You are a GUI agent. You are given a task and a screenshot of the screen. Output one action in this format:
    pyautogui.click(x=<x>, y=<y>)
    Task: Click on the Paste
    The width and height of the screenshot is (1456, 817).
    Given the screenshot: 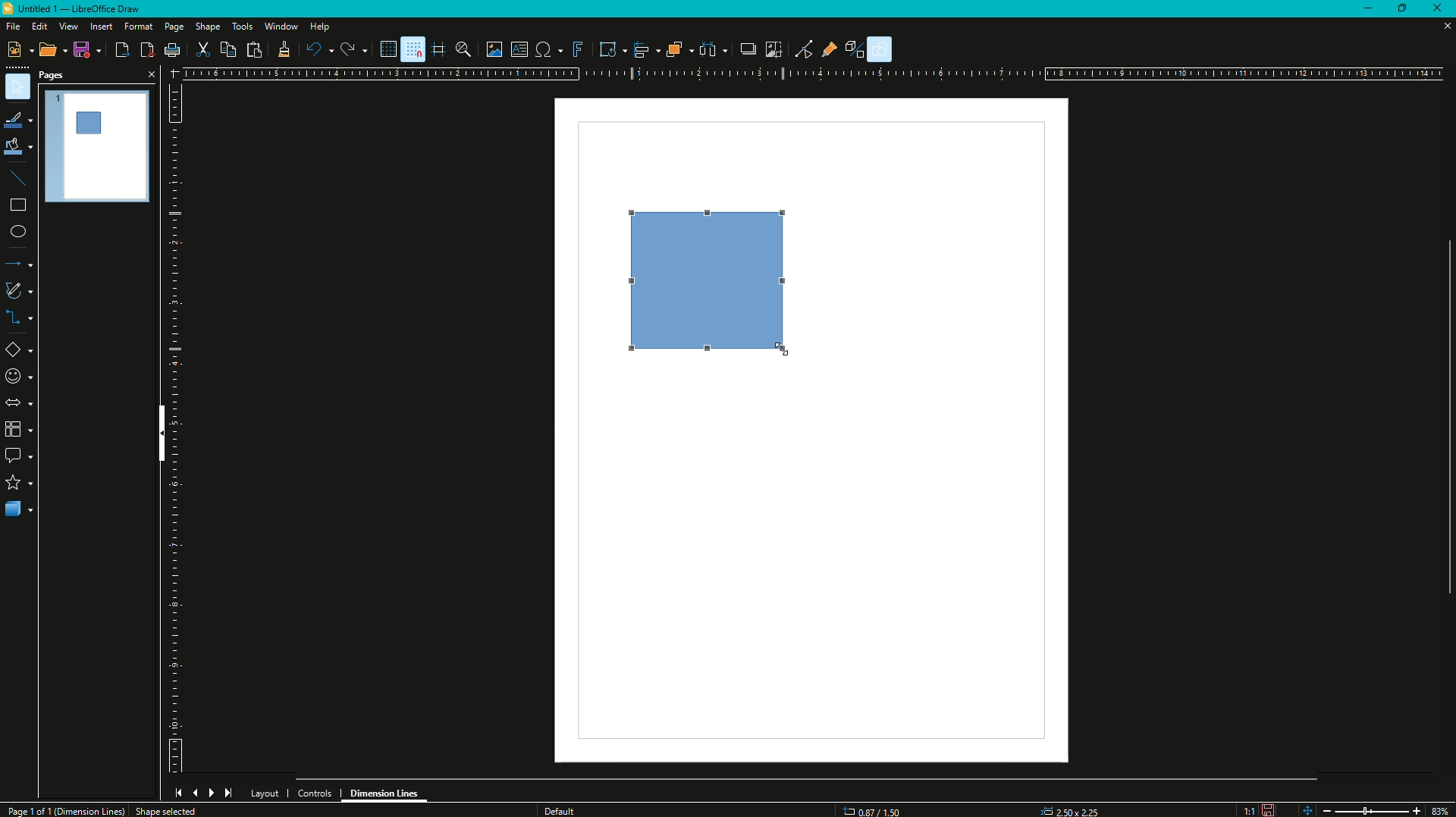 What is the action you would take?
    pyautogui.click(x=253, y=49)
    